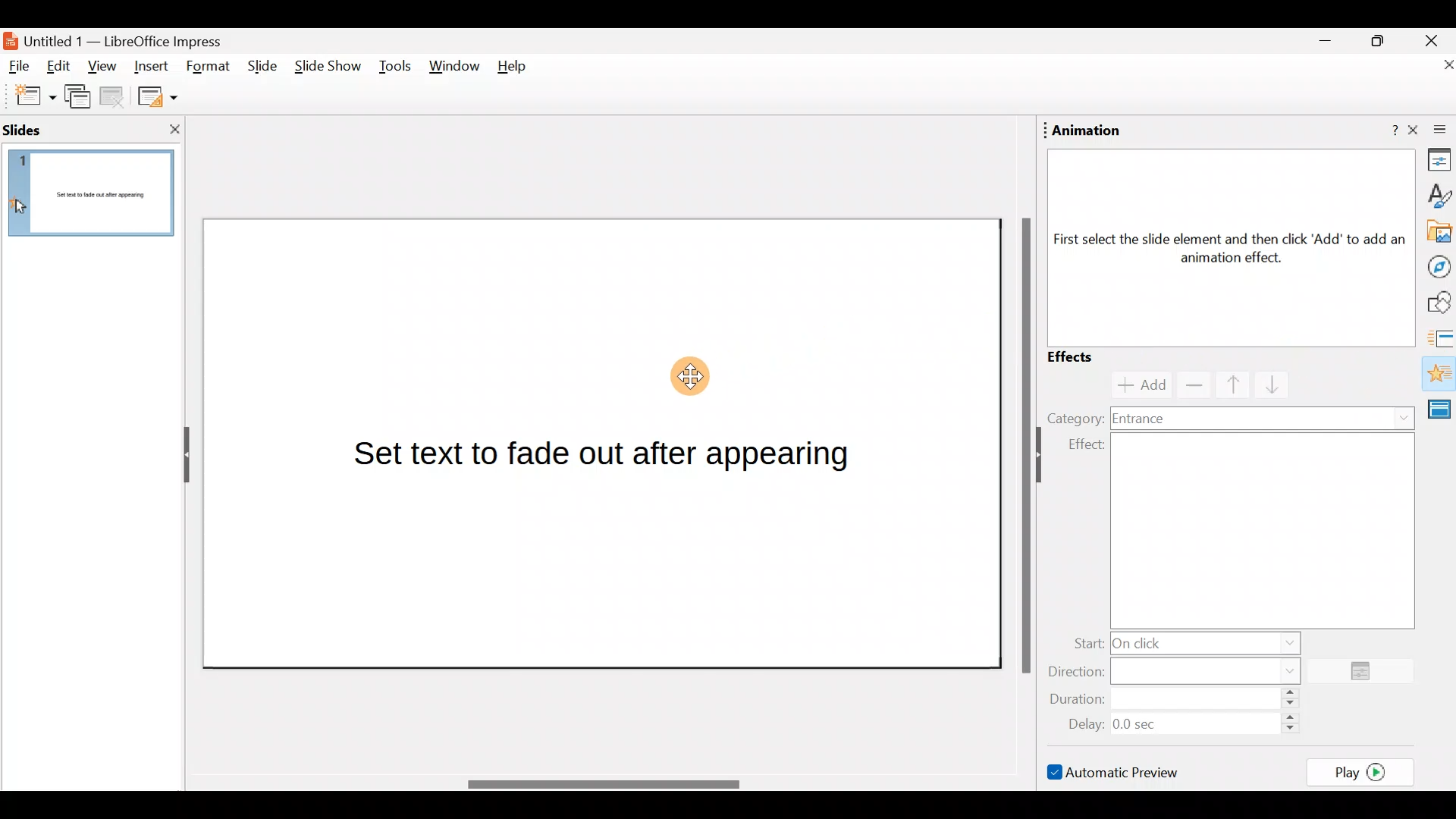  Describe the element at coordinates (102, 71) in the screenshot. I see `View` at that location.